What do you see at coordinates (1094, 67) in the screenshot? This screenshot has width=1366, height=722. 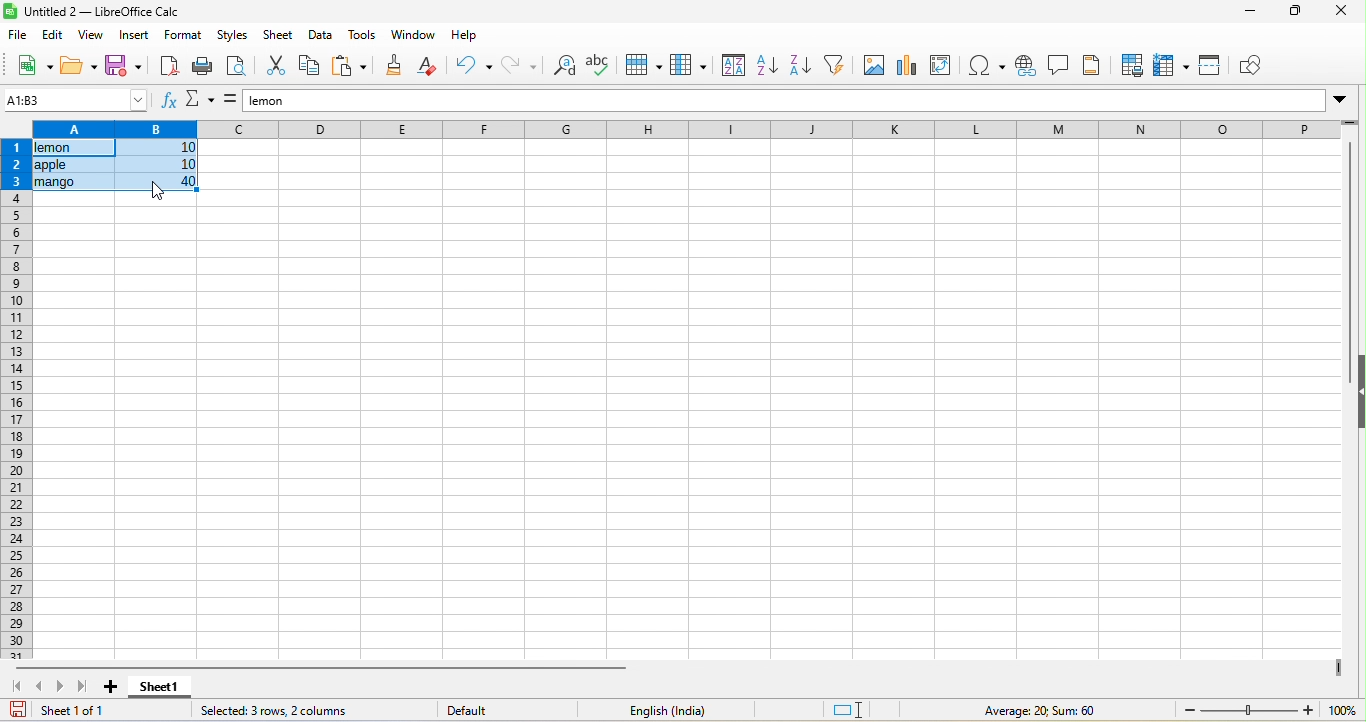 I see `header and footers` at bounding box center [1094, 67].